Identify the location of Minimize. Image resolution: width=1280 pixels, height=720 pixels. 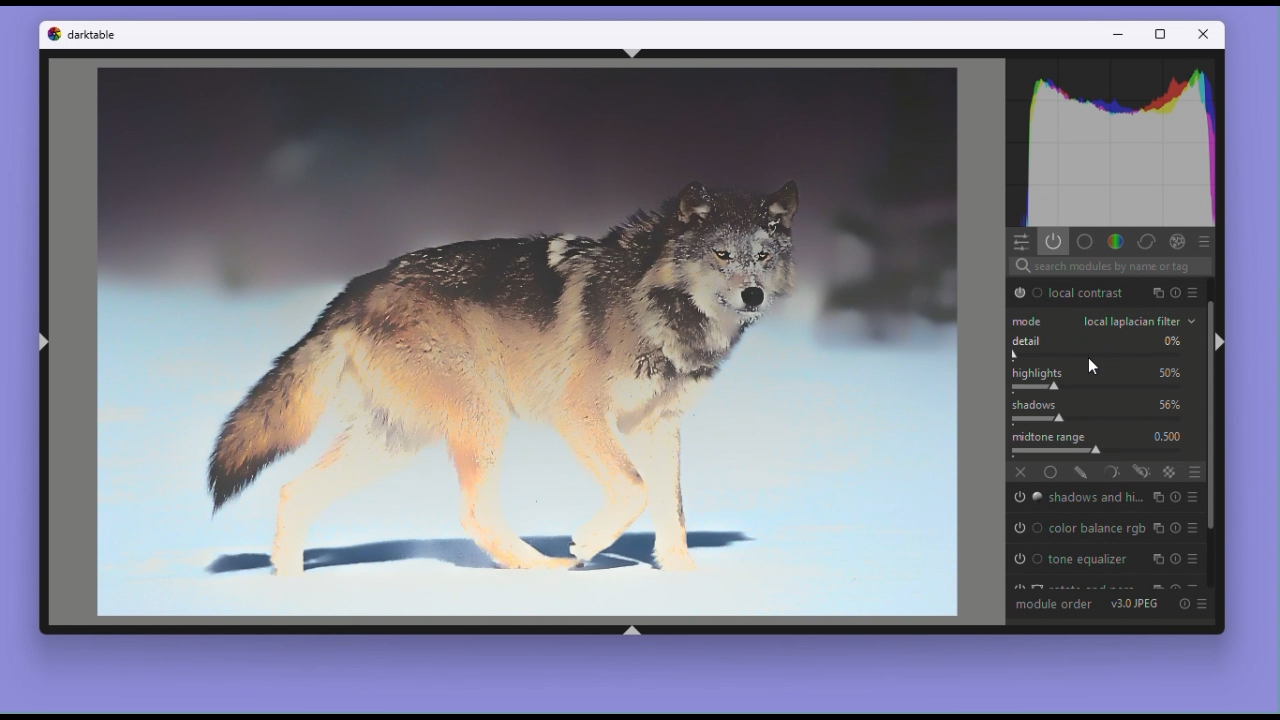
(1118, 32).